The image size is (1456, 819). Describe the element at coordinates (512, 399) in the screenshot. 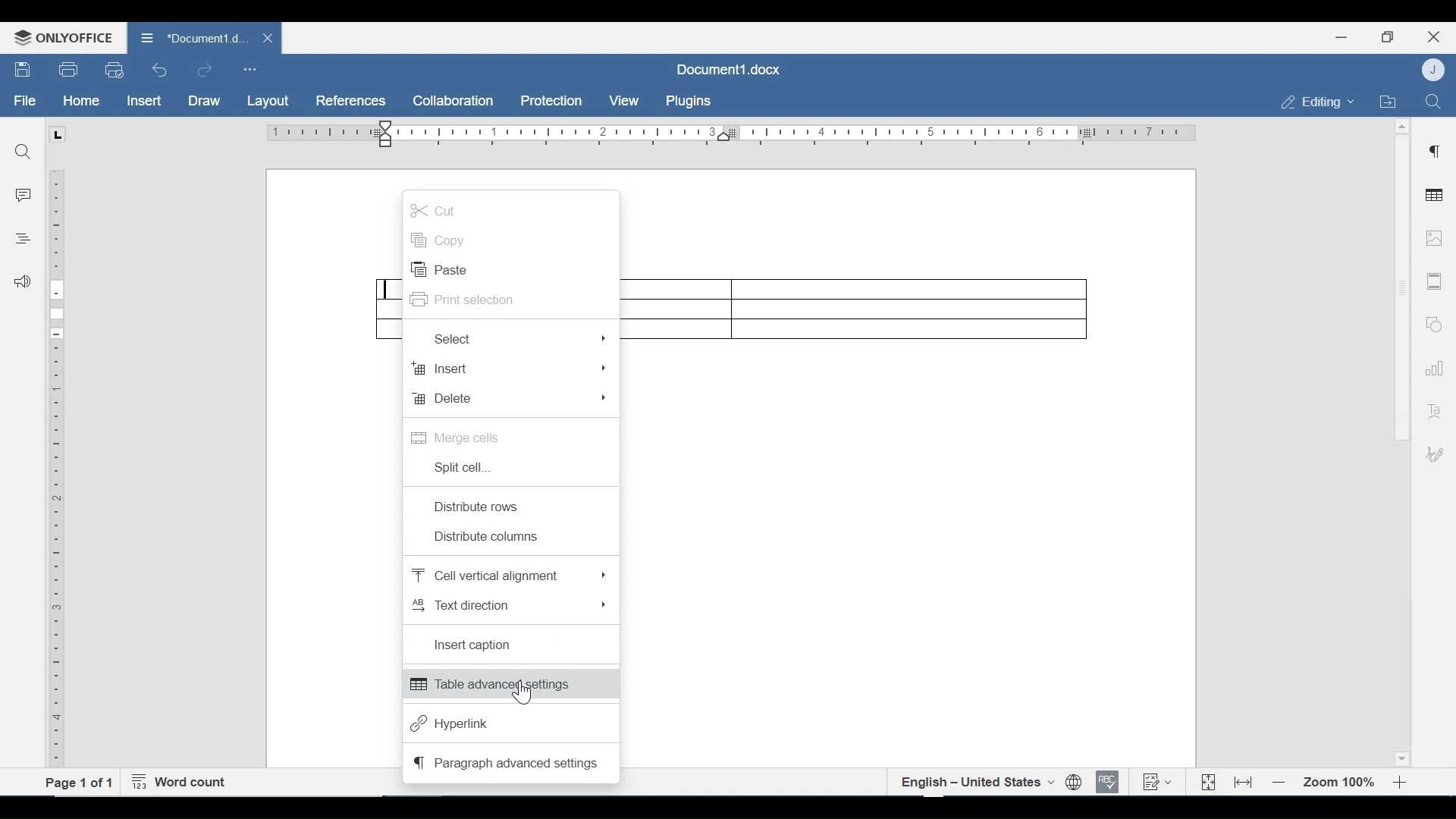

I see `Delete` at that location.